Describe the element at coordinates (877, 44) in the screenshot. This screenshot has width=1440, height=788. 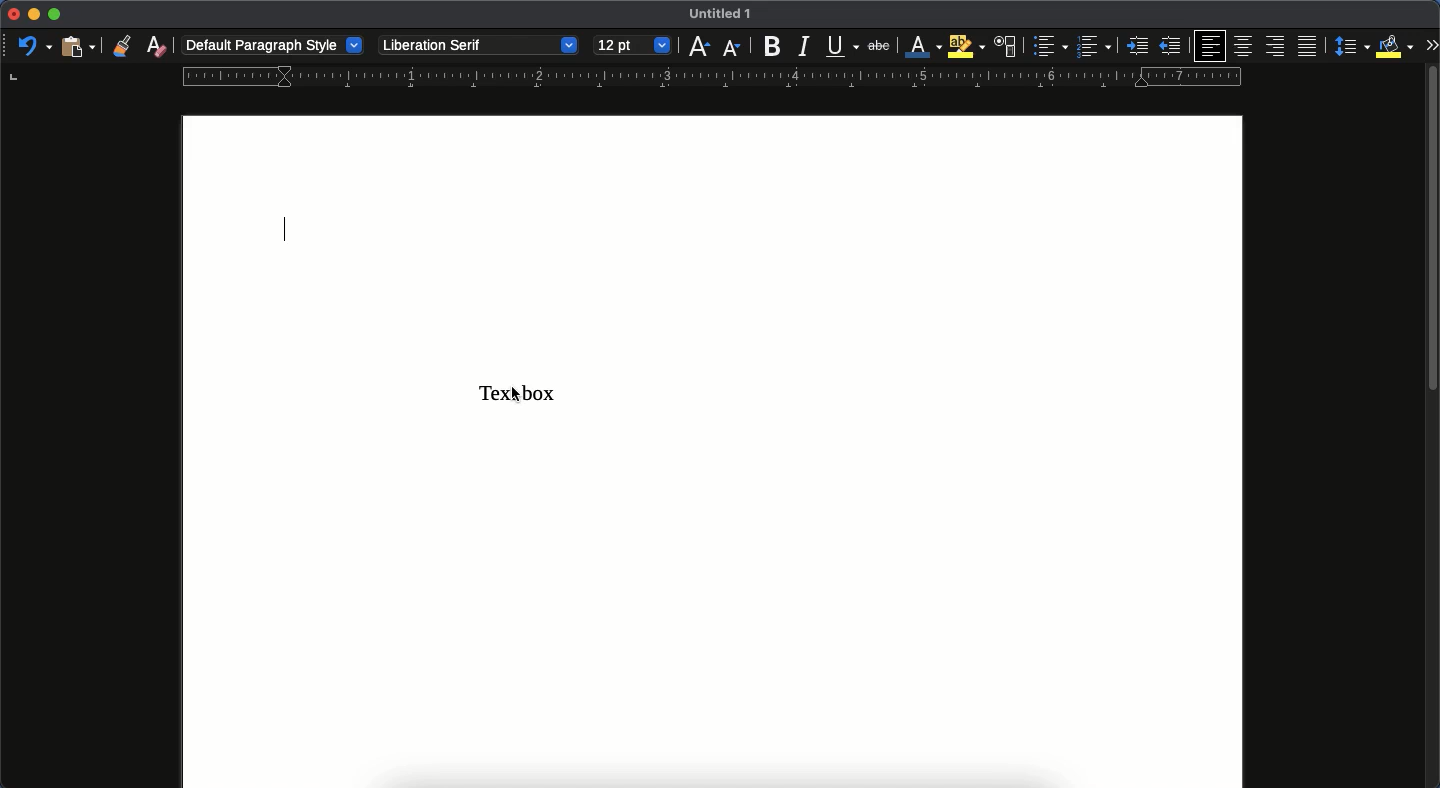
I see `strikethrough ` at that location.